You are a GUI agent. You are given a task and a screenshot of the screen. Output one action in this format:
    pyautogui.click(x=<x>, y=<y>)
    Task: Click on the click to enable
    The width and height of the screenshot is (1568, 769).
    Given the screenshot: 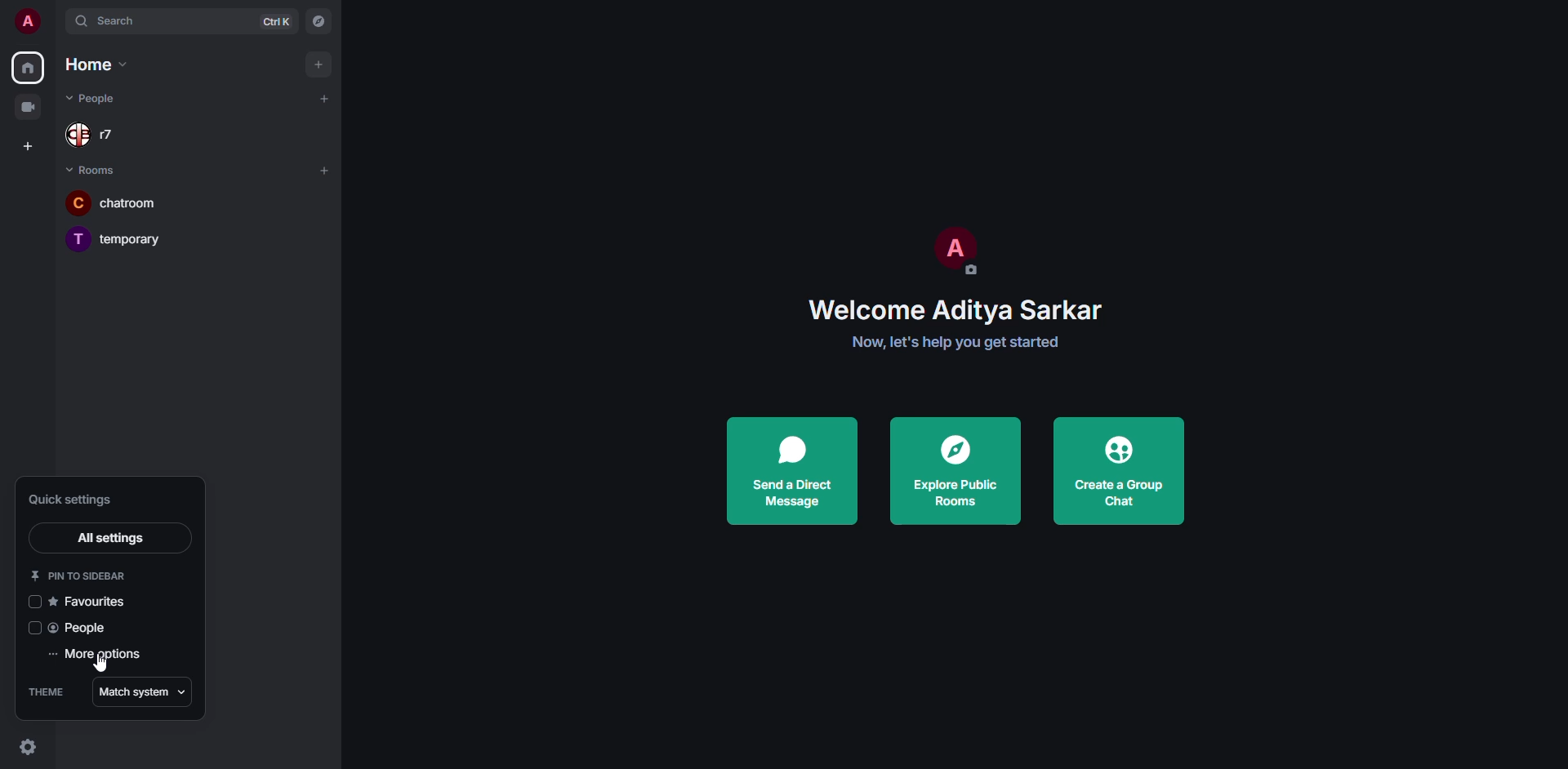 What is the action you would take?
    pyautogui.click(x=32, y=603)
    